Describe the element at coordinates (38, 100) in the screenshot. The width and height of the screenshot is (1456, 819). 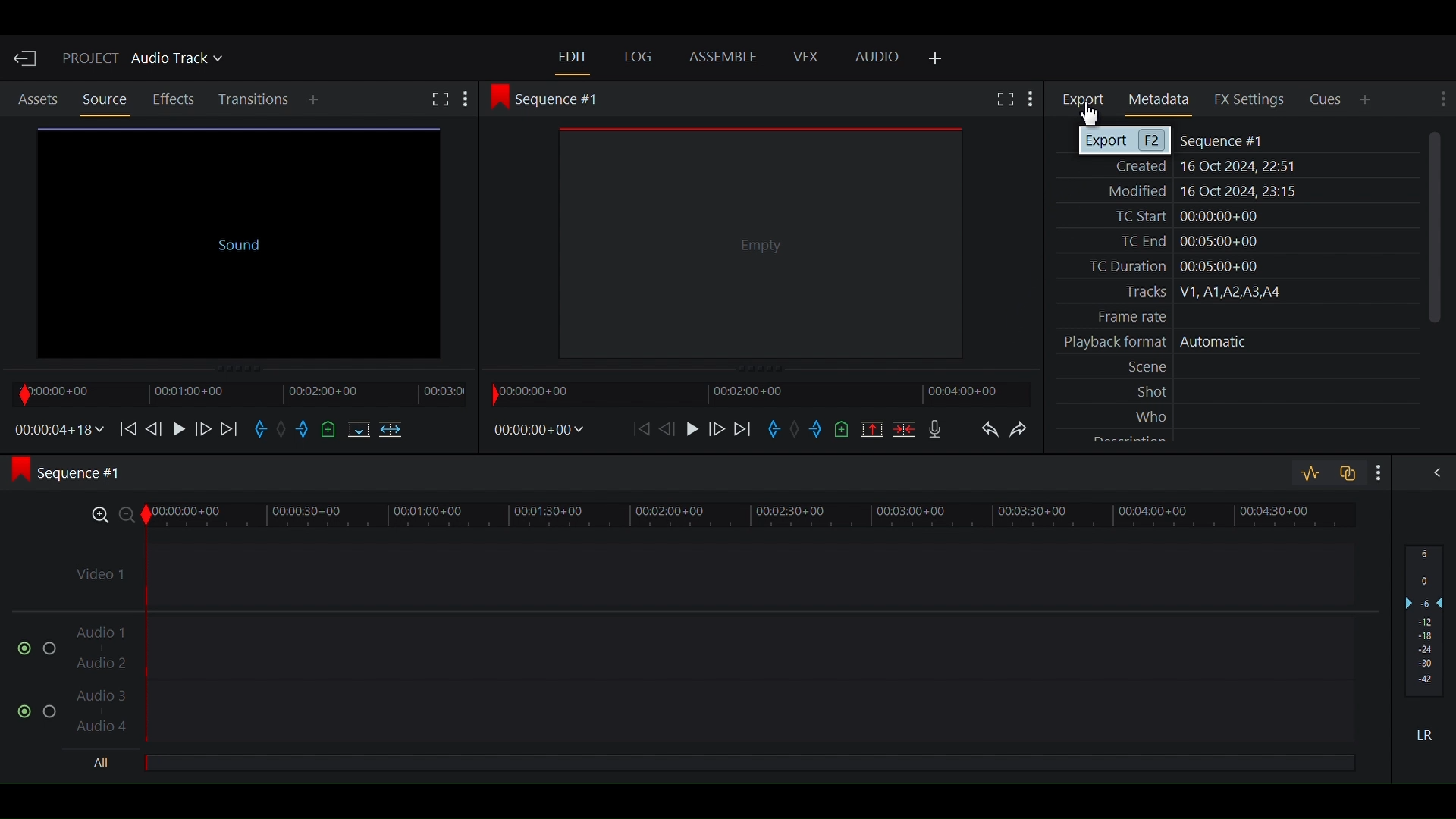
I see `Assets` at that location.